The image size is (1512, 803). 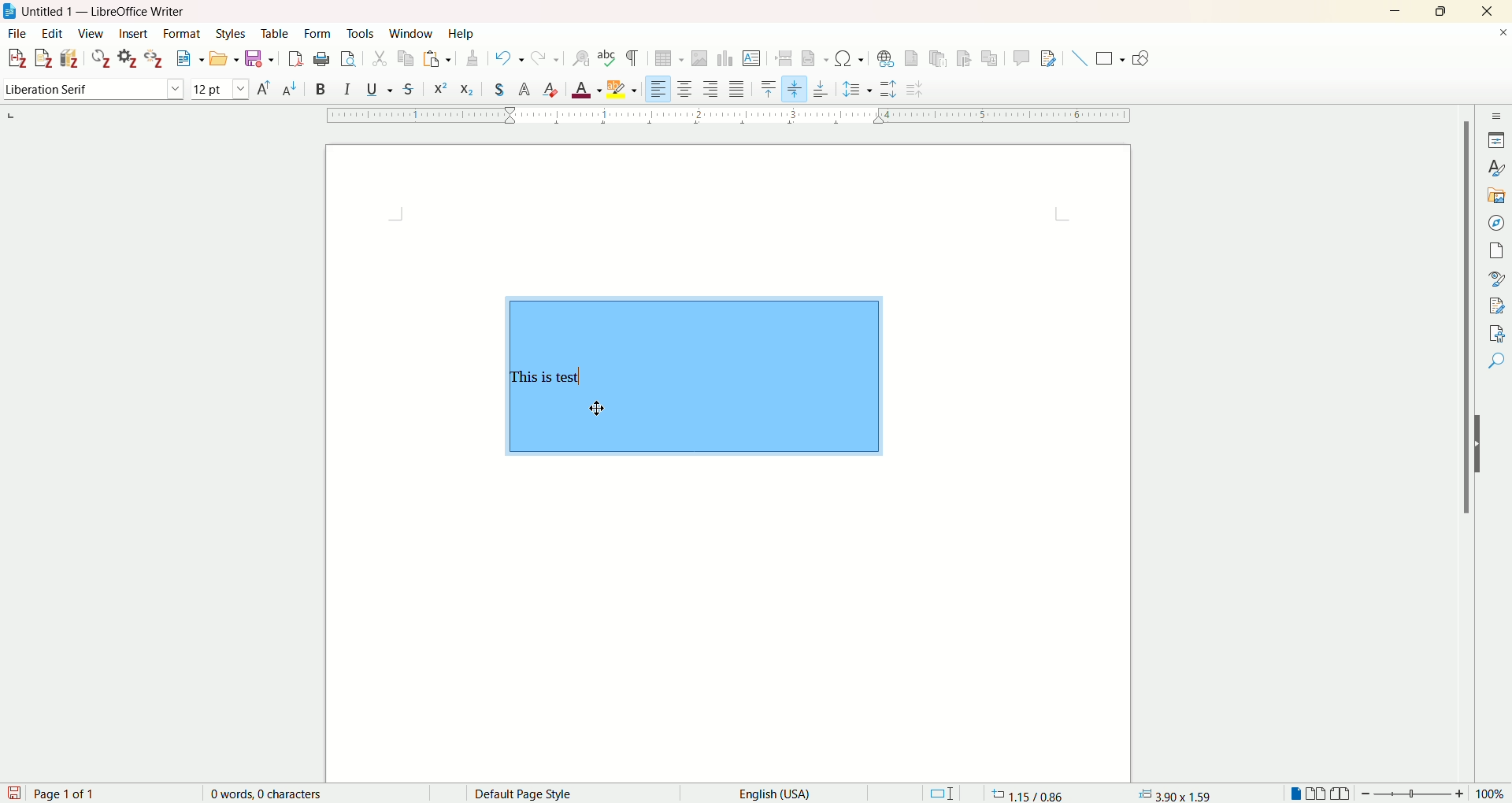 What do you see at coordinates (320, 32) in the screenshot?
I see `forms` at bounding box center [320, 32].